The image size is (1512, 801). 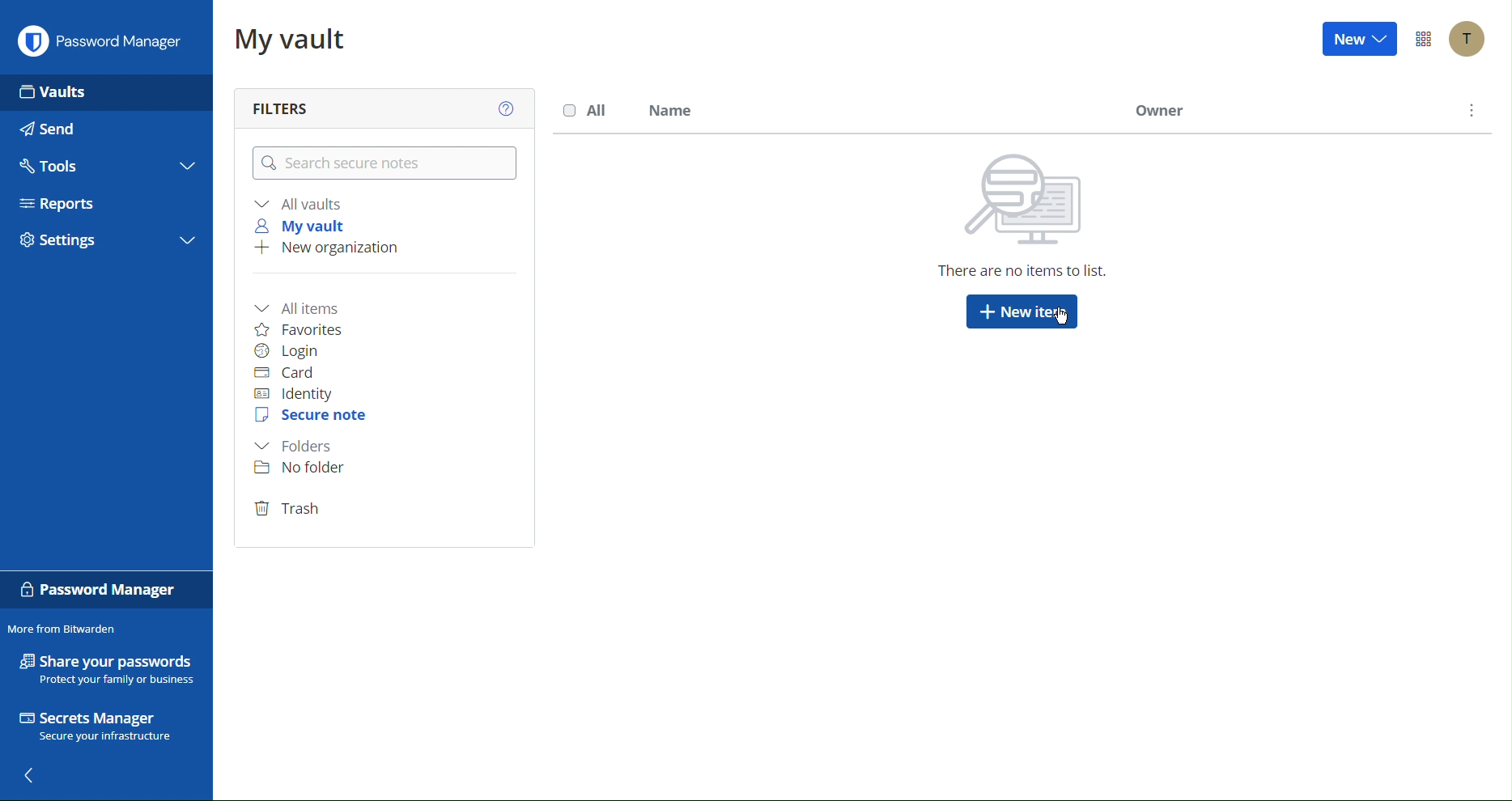 I want to click on Options, so click(x=1421, y=40).